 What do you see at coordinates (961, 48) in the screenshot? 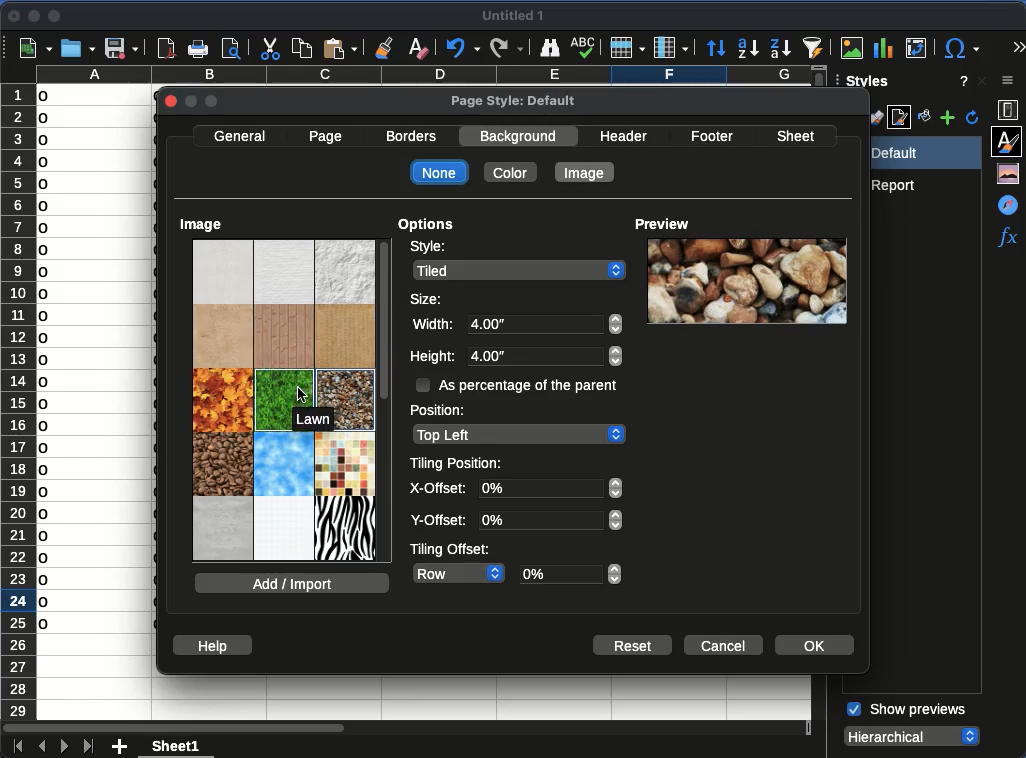
I see `special character` at bounding box center [961, 48].